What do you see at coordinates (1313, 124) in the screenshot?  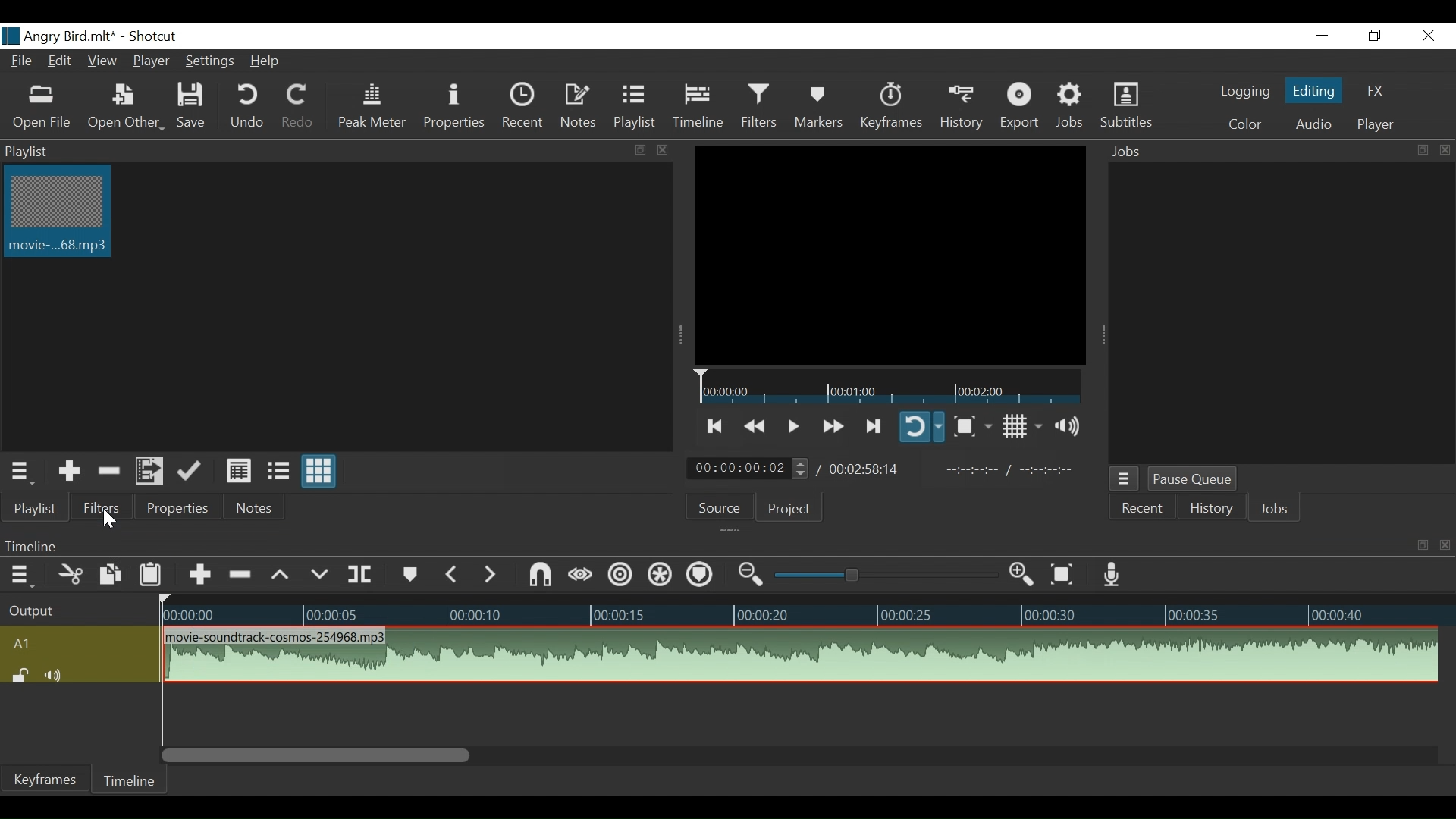 I see `Audio` at bounding box center [1313, 124].